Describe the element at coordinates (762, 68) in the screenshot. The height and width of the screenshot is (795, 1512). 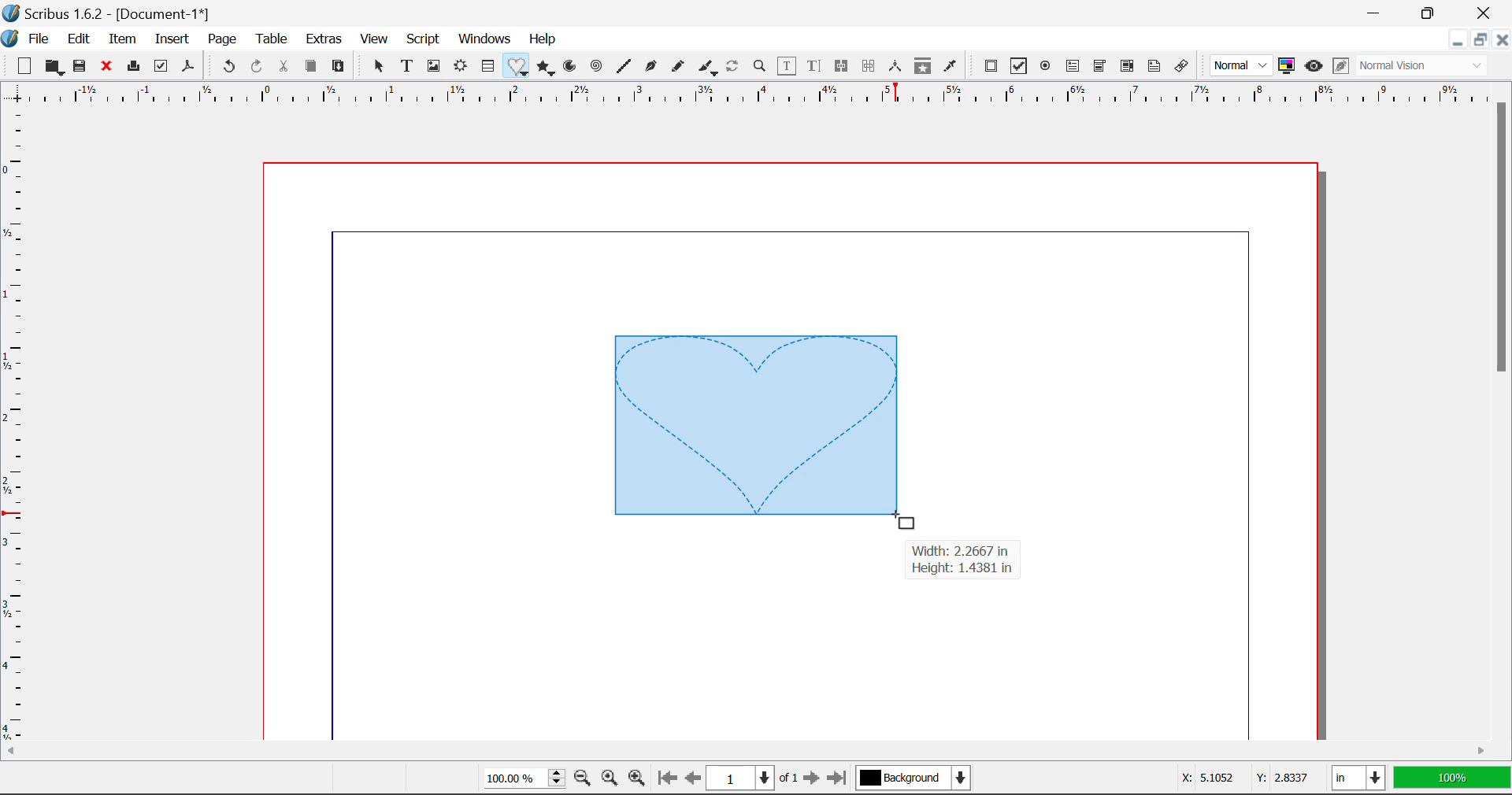
I see `Zoom` at that location.